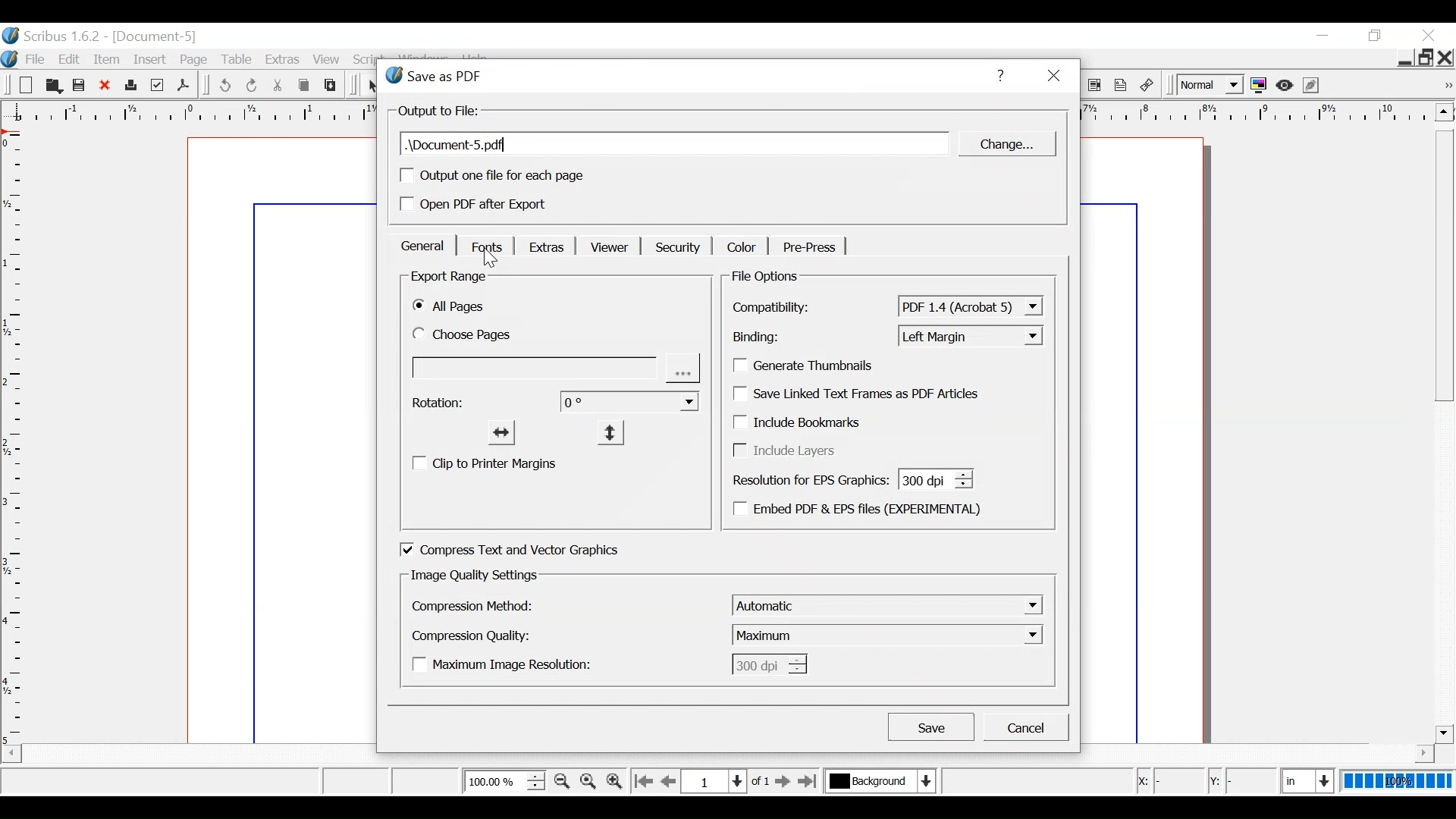 The height and width of the screenshot is (819, 1456). What do you see at coordinates (493, 206) in the screenshot?
I see `(un)select Open PDF after Export` at bounding box center [493, 206].